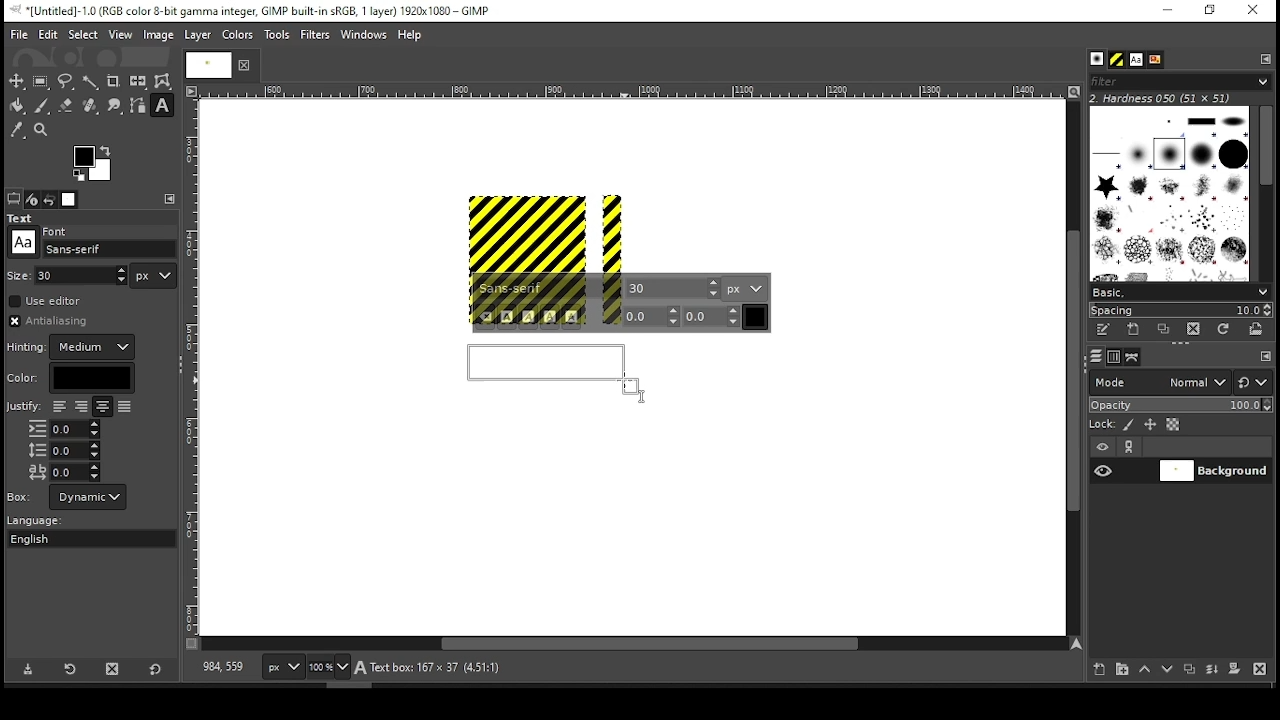  Describe the element at coordinates (1172, 425) in the screenshot. I see `lock alpha channel` at that location.